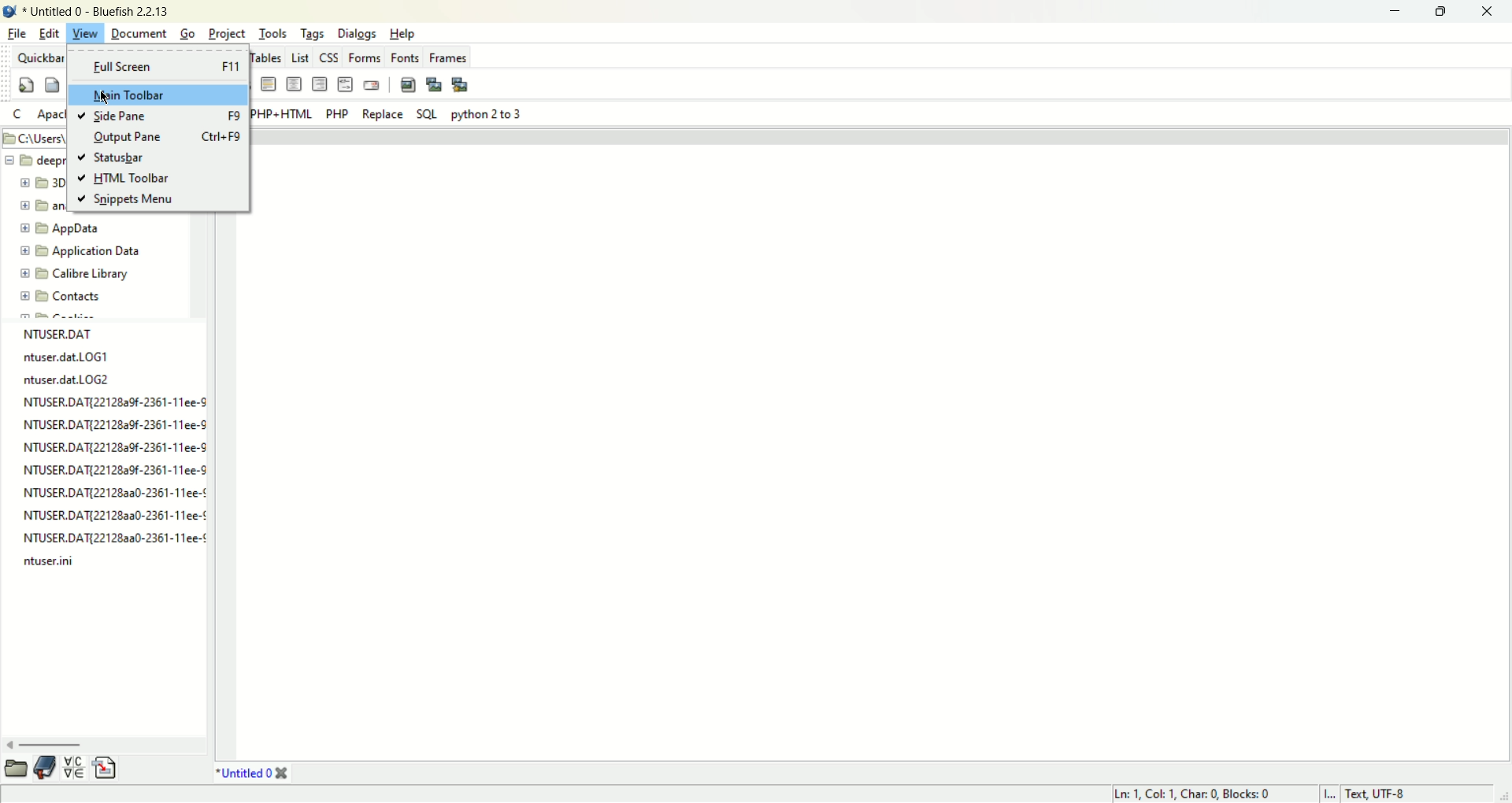 The height and width of the screenshot is (803, 1512). Describe the element at coordinates (434, 83) in the screenshot. I see `insert thumbnail` at that location.